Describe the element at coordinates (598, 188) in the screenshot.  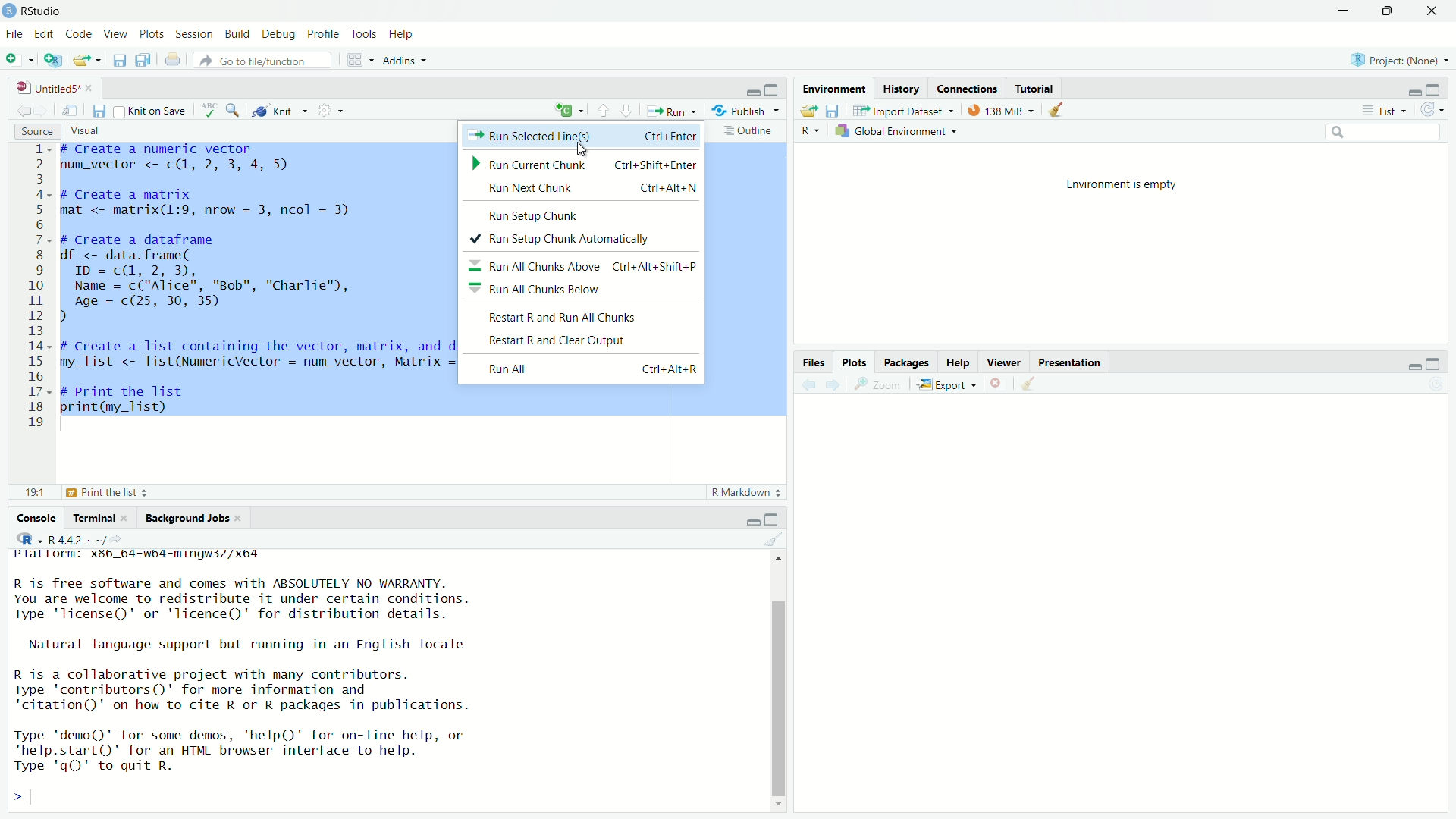
I see `Run Next Chunk Ctrl+Alt+N |` at that location.